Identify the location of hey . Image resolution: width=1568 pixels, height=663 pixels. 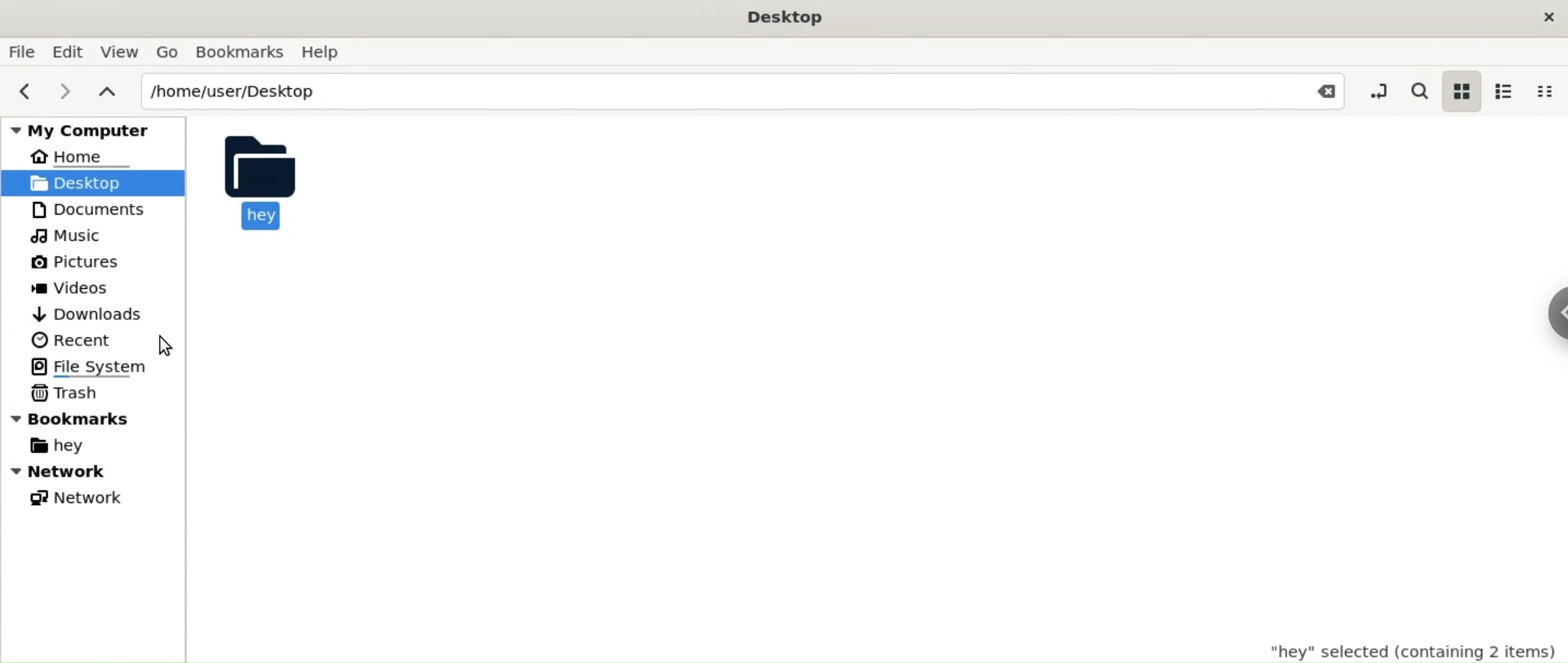
(258, 180).